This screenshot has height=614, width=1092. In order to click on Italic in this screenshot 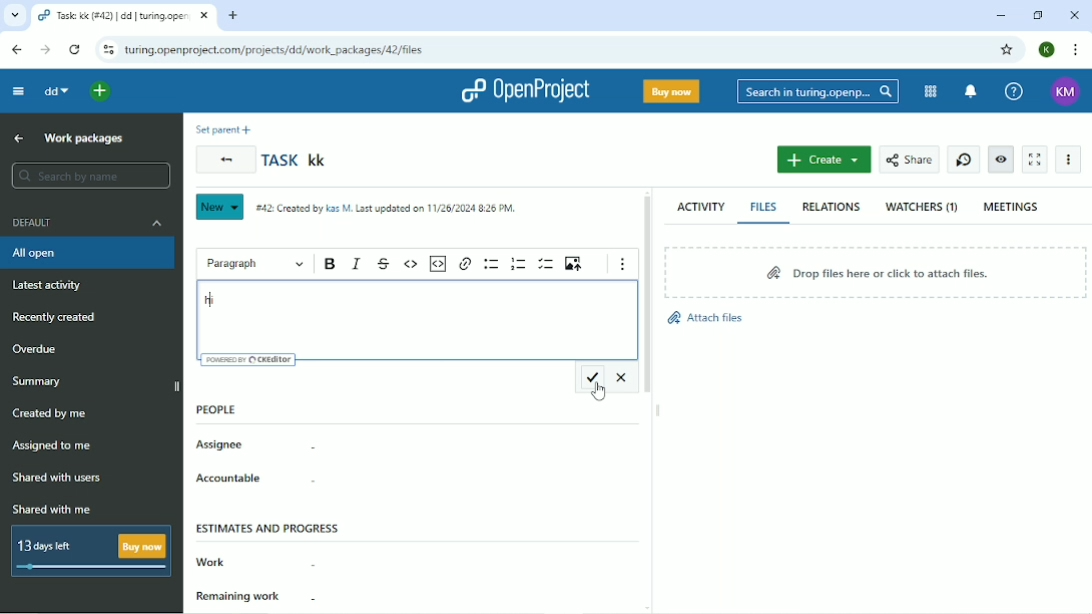, I will do `click(357, 264)`.